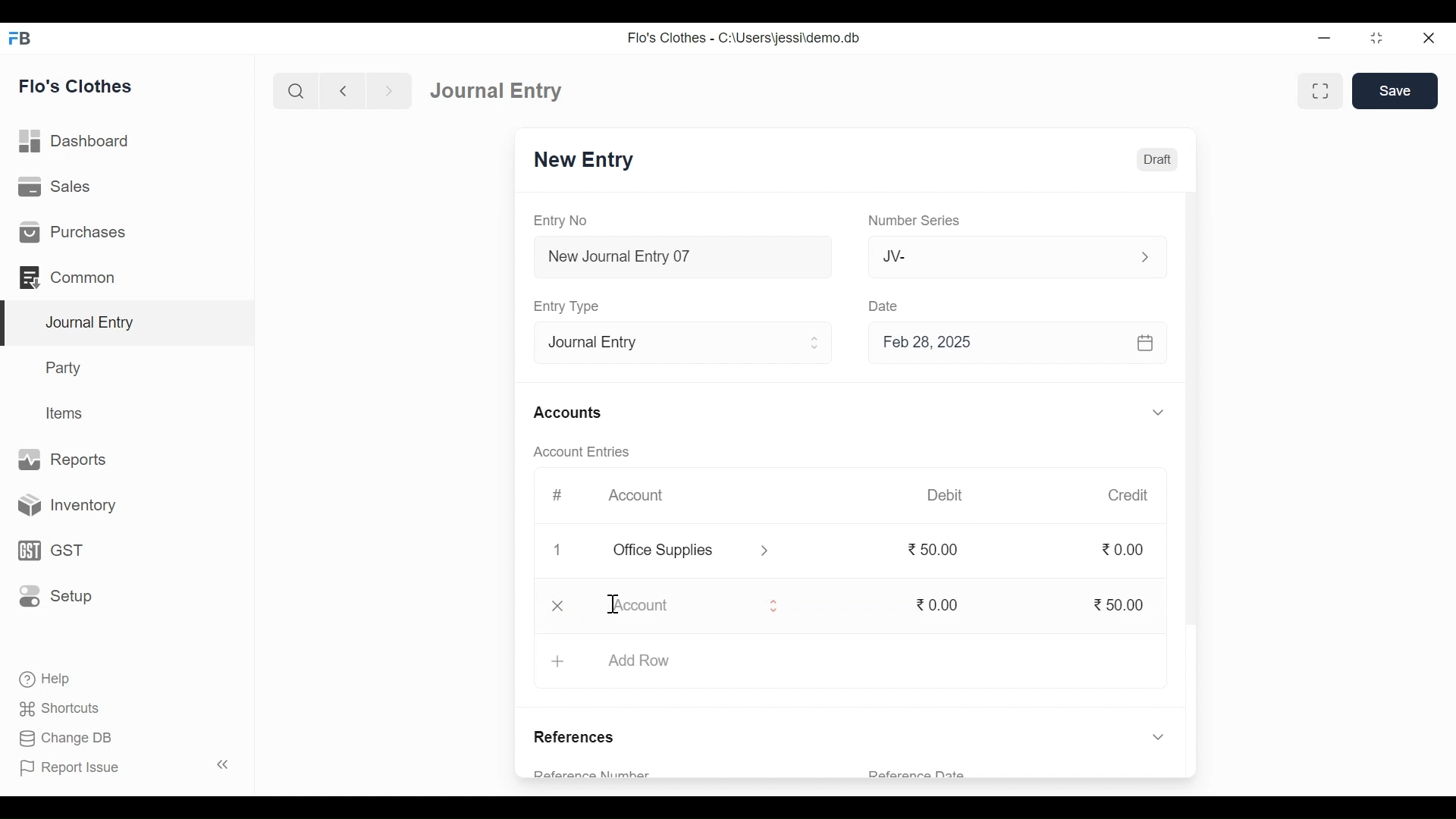 The width and height of the screenshot is (1456, 819). What do you see at coordinates (66, 367) in the screenshot?
I see `Party` at bounding box center [66, 367].